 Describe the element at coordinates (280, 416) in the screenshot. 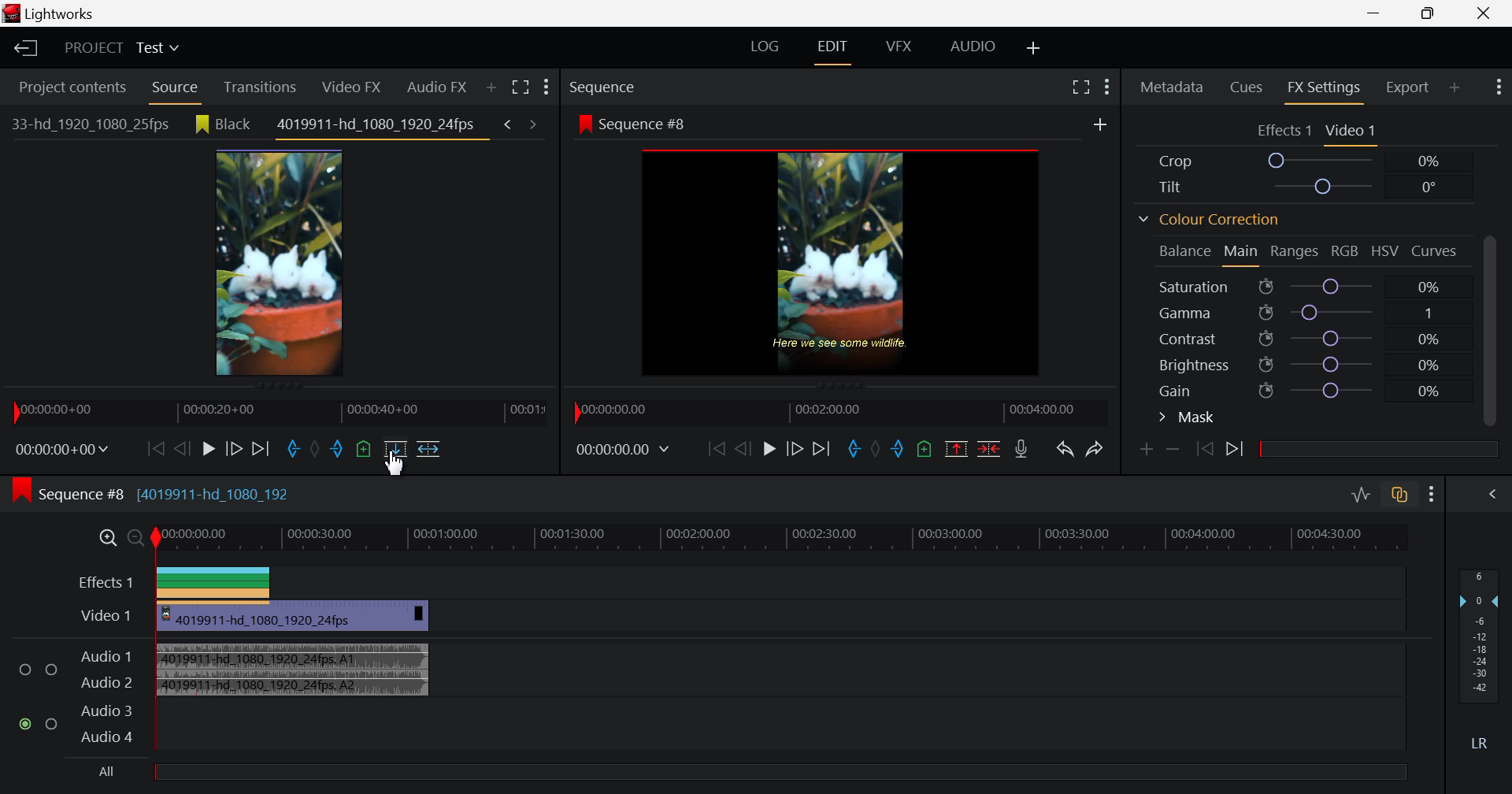

I see `Clip Timeline` at that location.